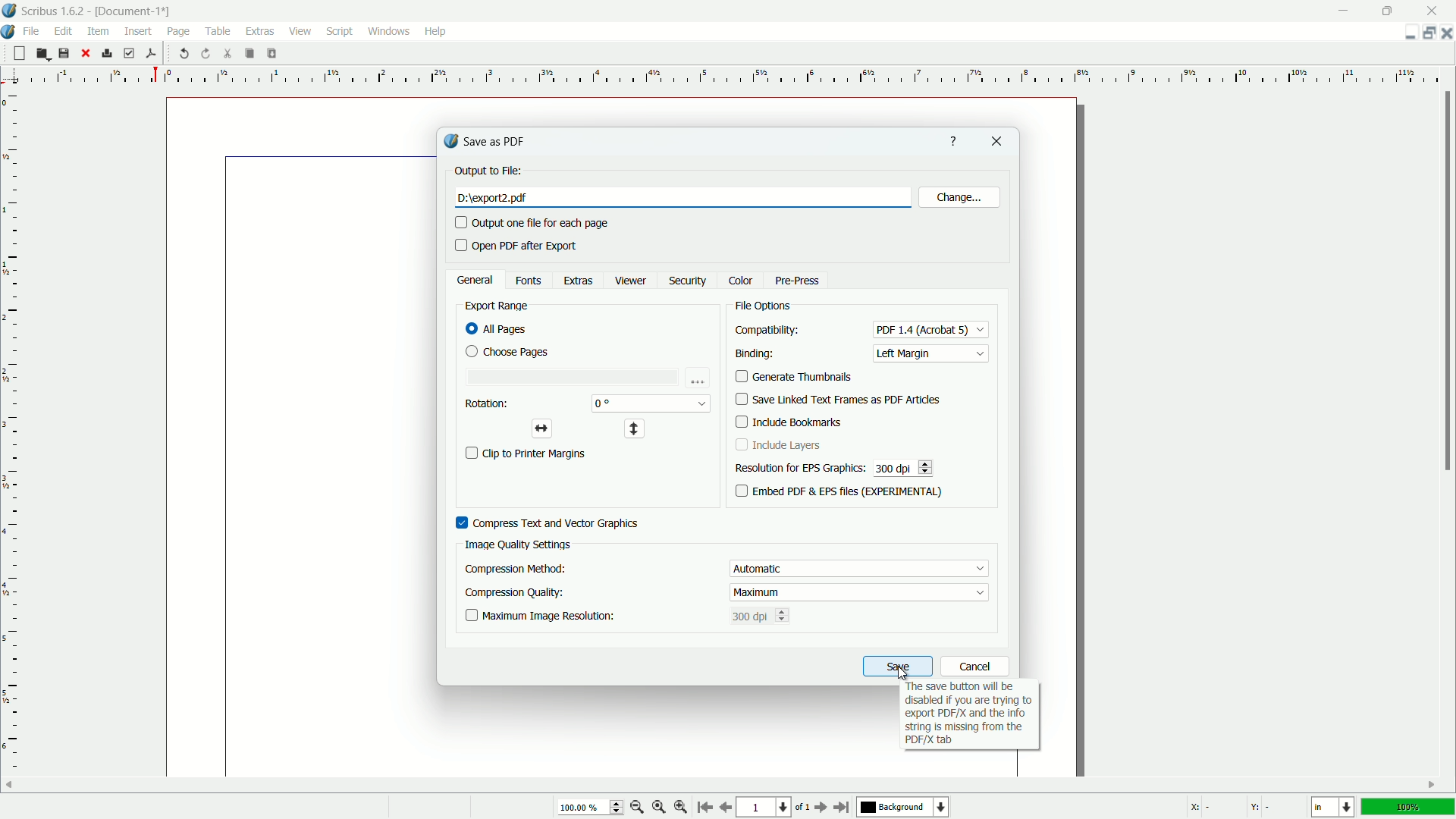 This screenshot has width=1456, height=819. Describe the element at coordinates (1426, 33) in the screenshot. I see `change layout` at that location.